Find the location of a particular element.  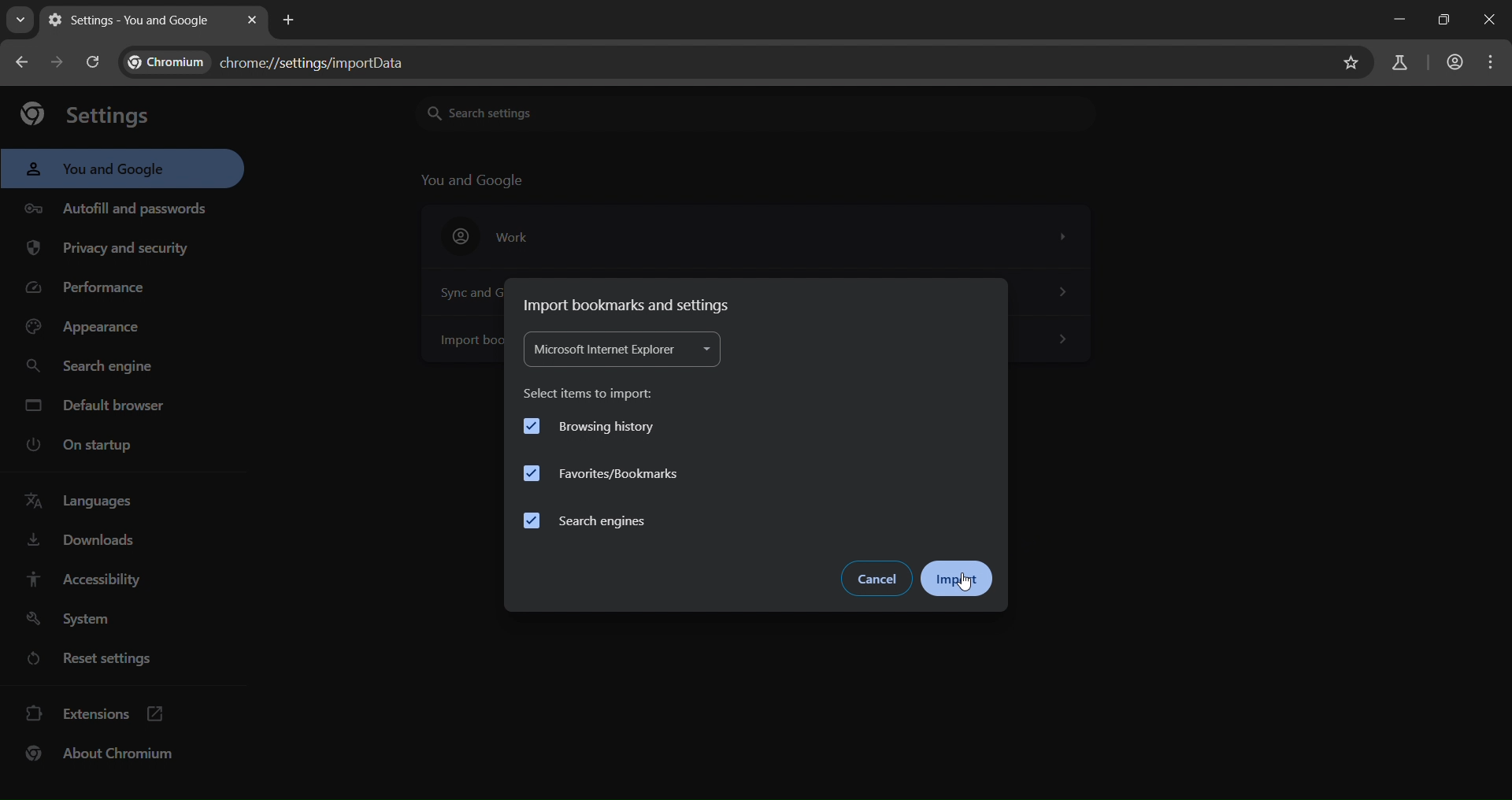

performance  is located at coordinates (90, 291).